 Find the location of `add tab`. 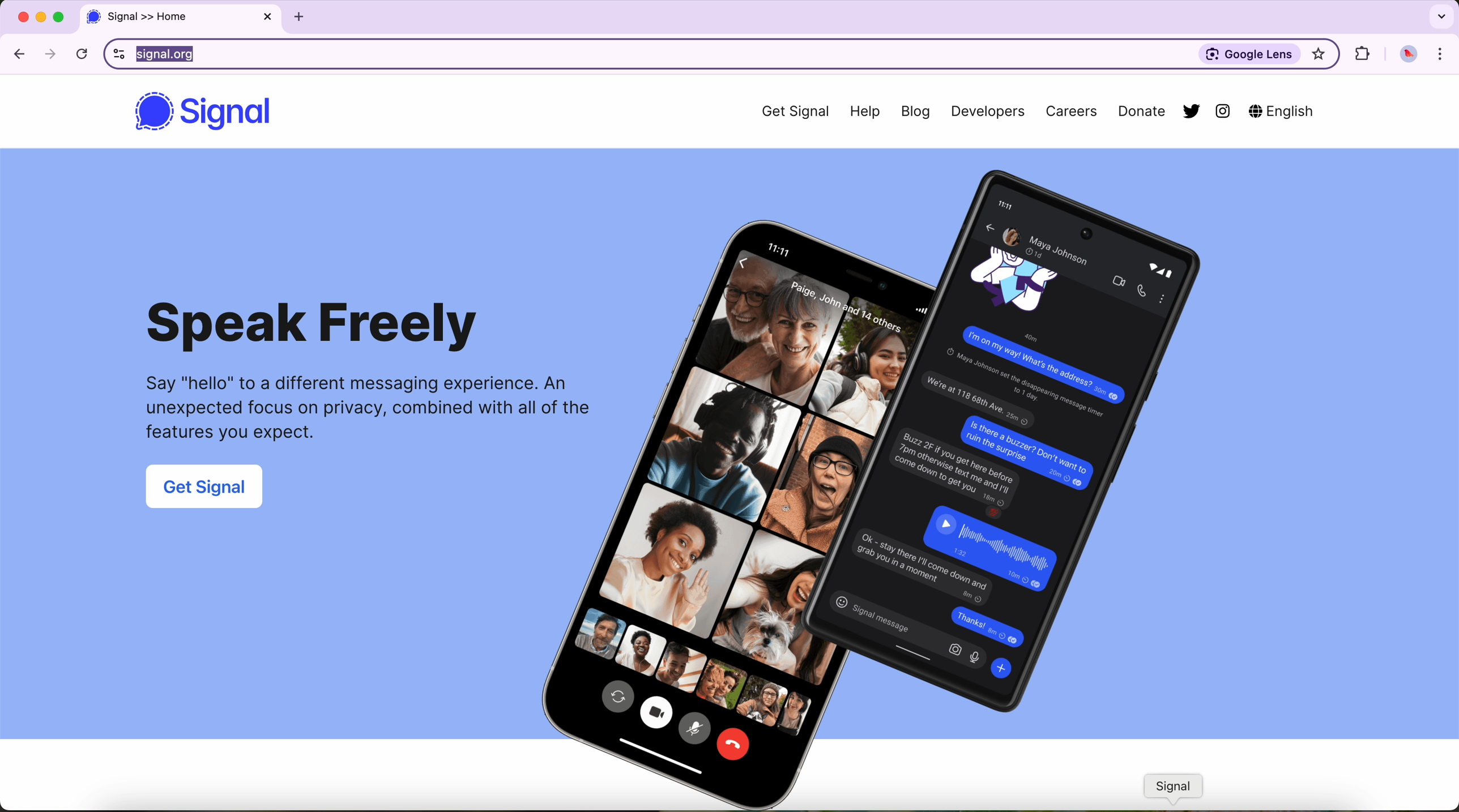

add tab is located at coordinates (298, 19).